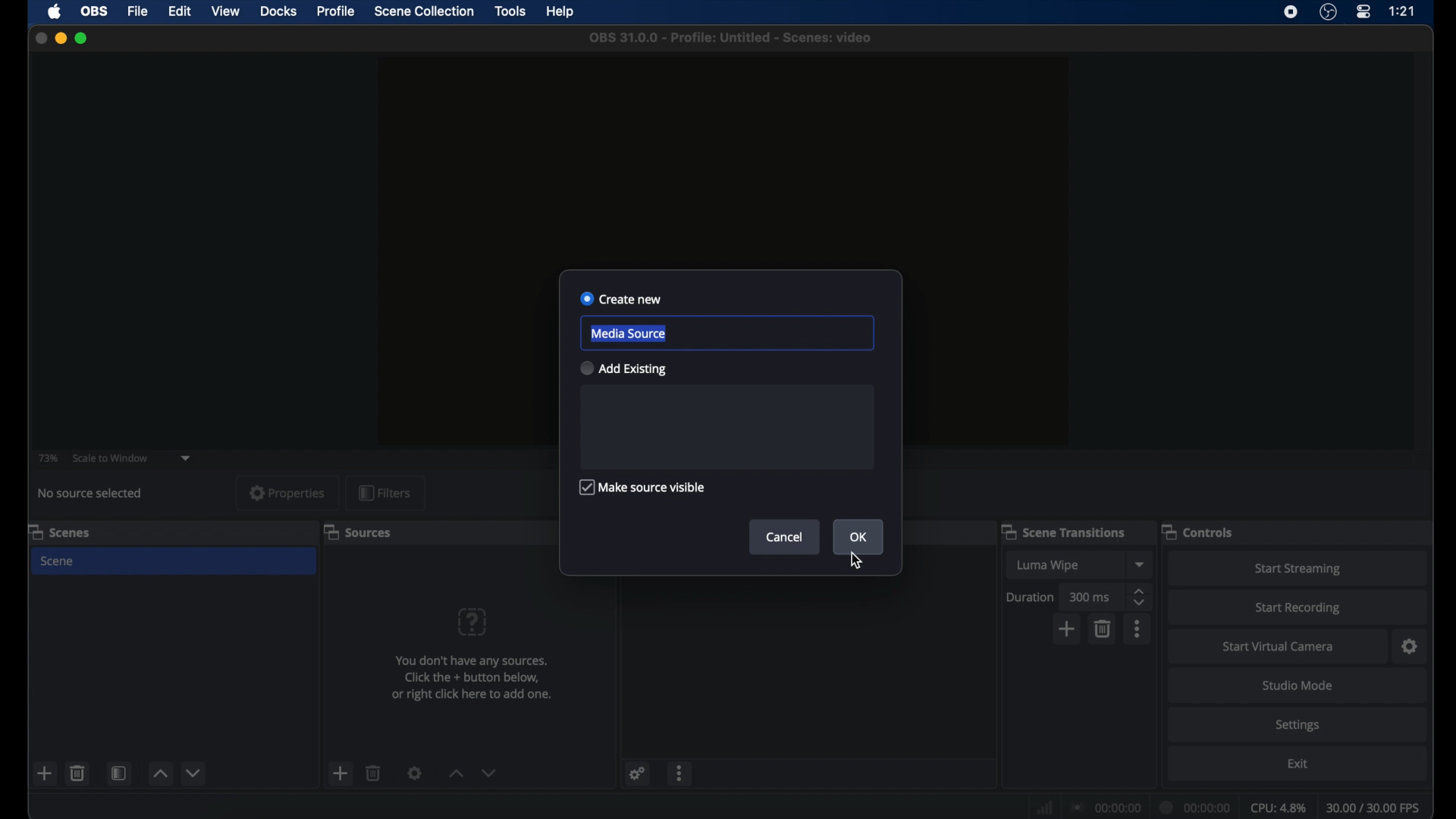 The height and width of the screenshot is (819, 1456). Describe the element at coordinates (1029, 598) in the screenshot. I see `duration` at that location.